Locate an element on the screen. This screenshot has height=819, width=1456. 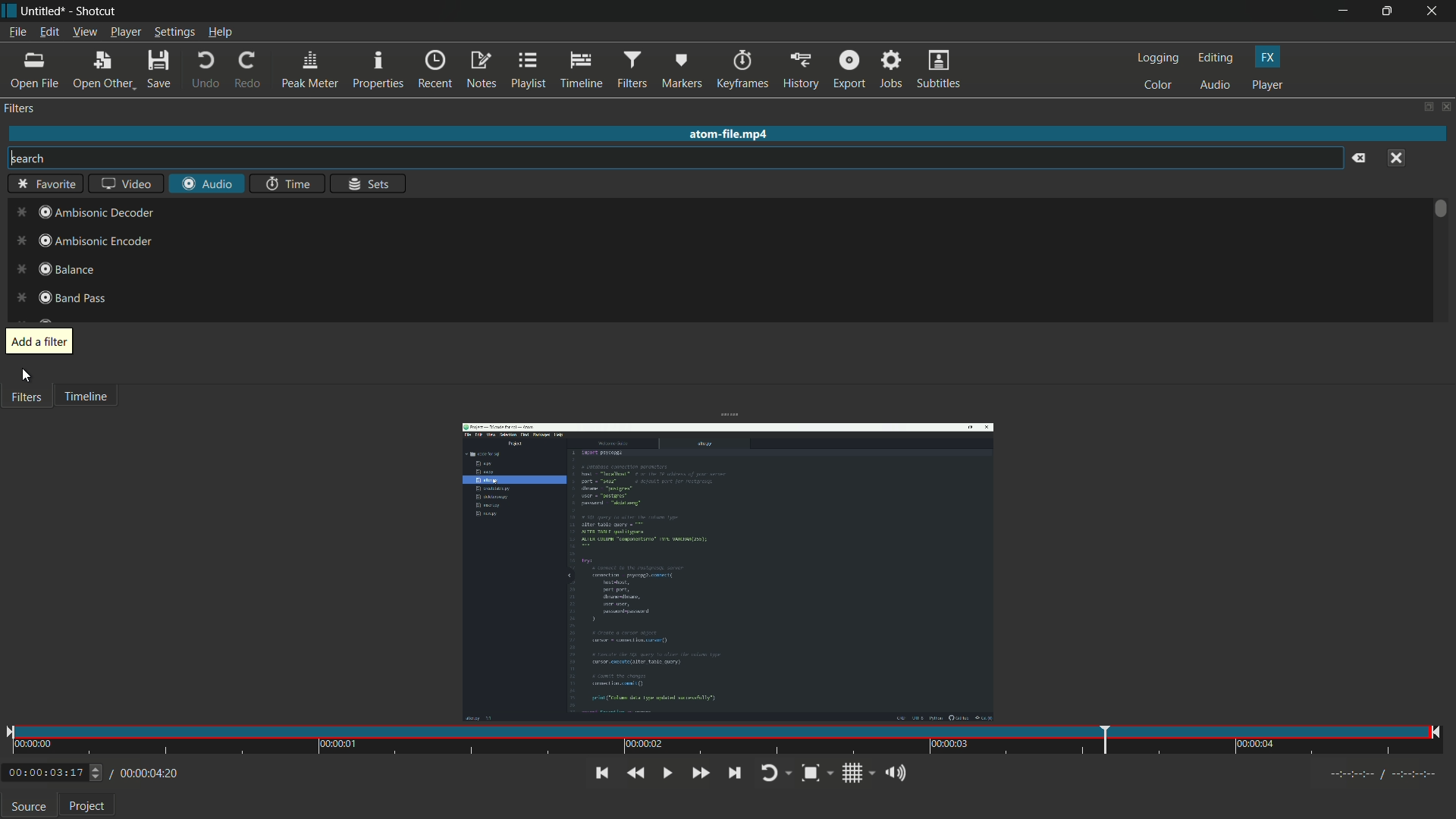
scroll bar is located at coordinates (1440, 209).